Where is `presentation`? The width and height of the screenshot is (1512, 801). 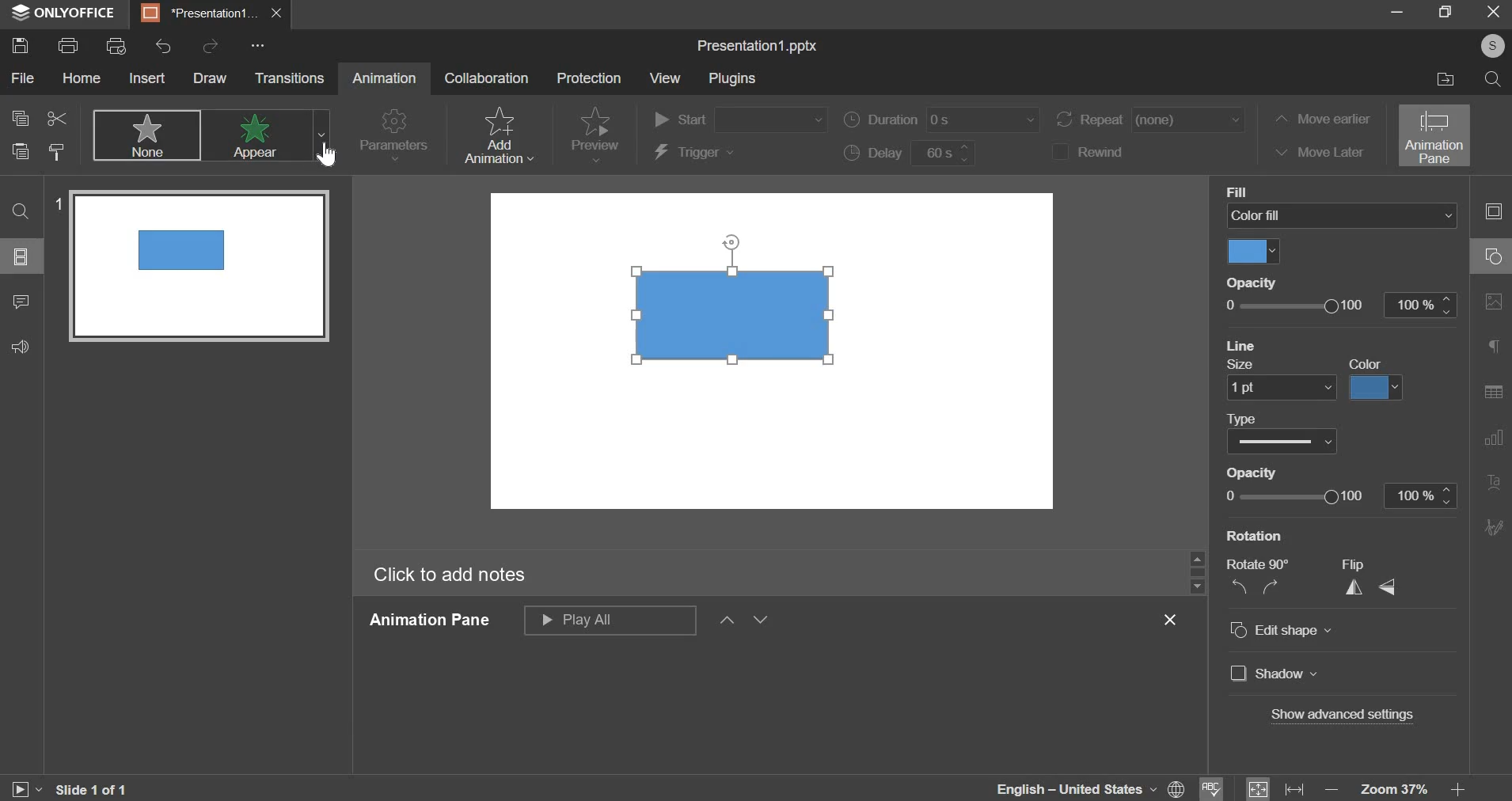
presentation is located at coordinates (209, 15).